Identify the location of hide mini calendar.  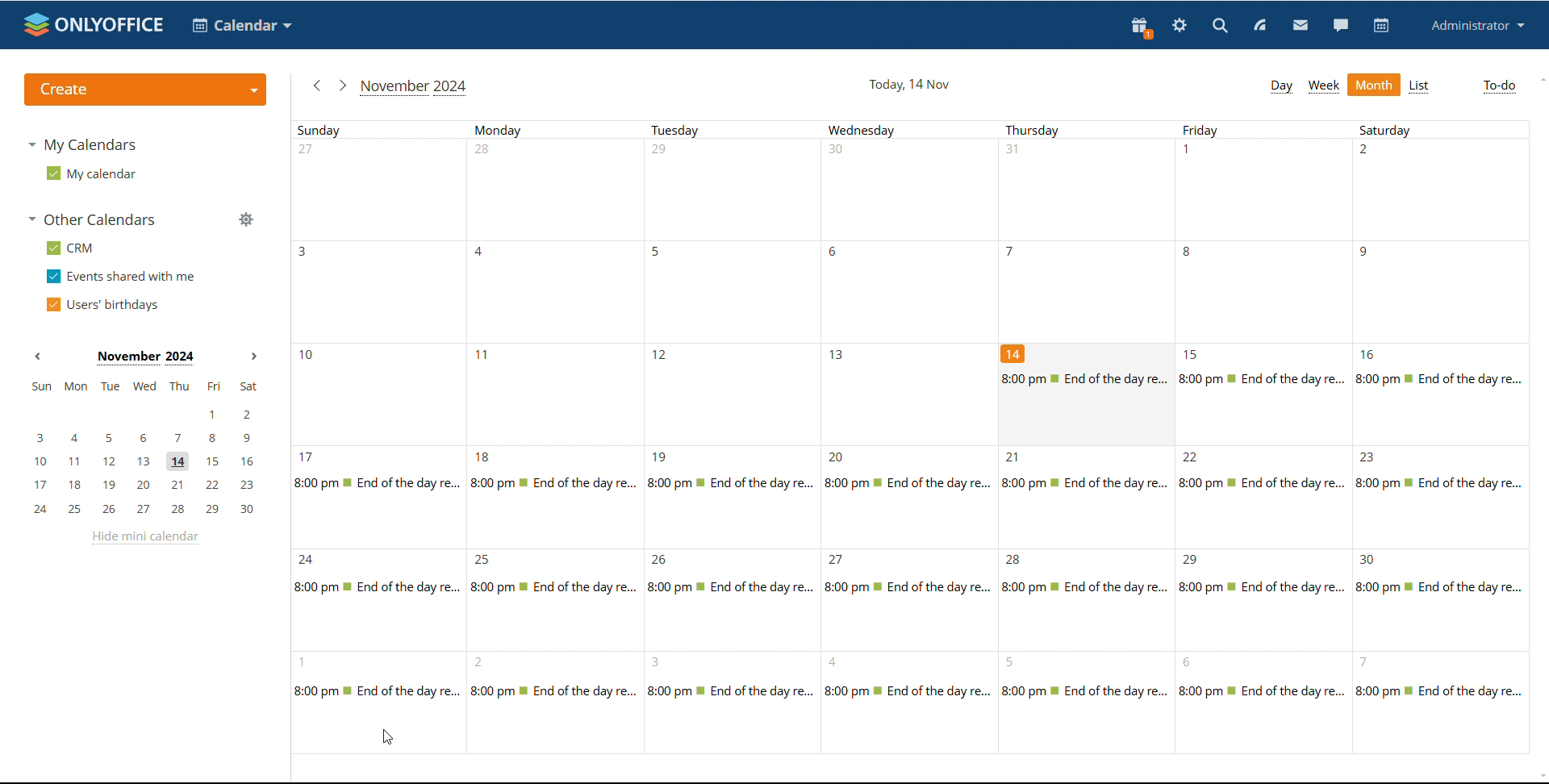
(144, 537).